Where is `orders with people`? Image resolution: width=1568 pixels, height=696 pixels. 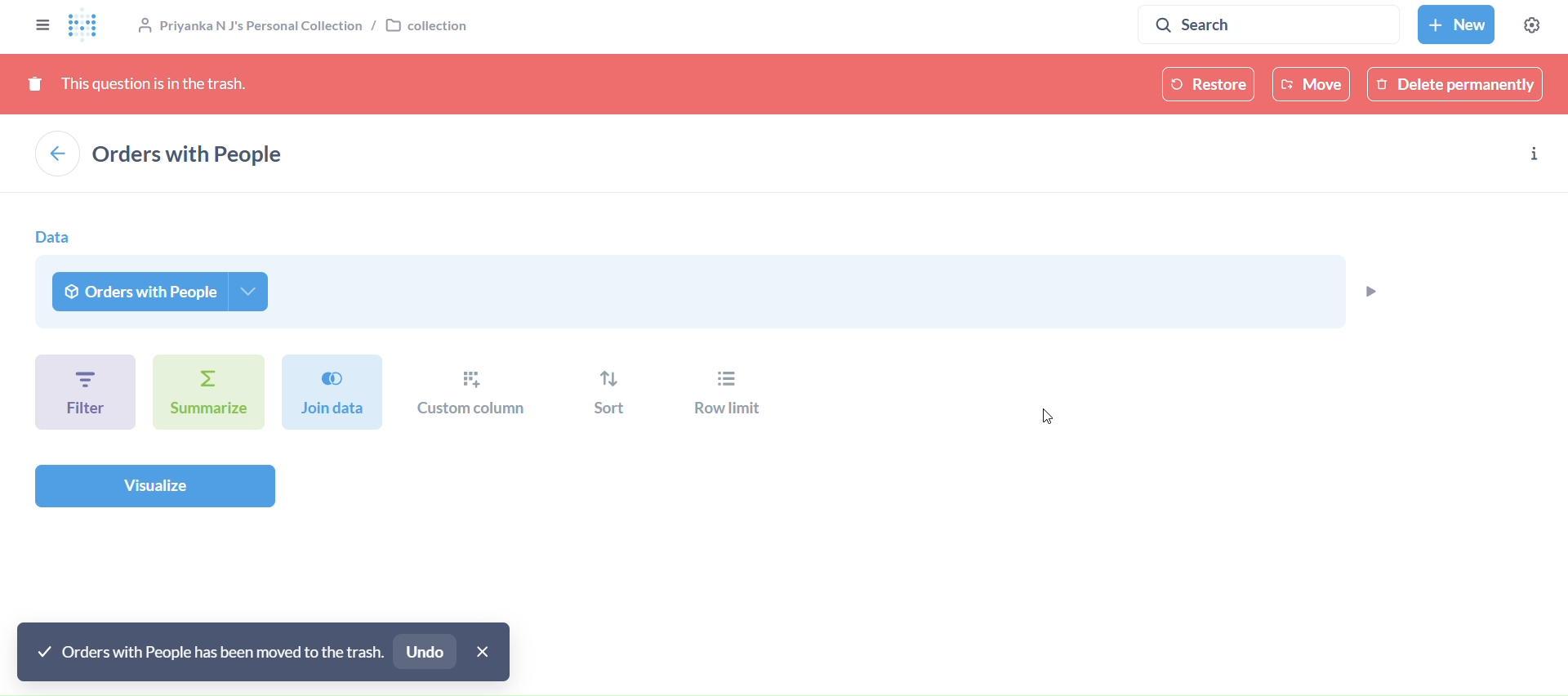
orders with people is located at coordinates (160, 292).